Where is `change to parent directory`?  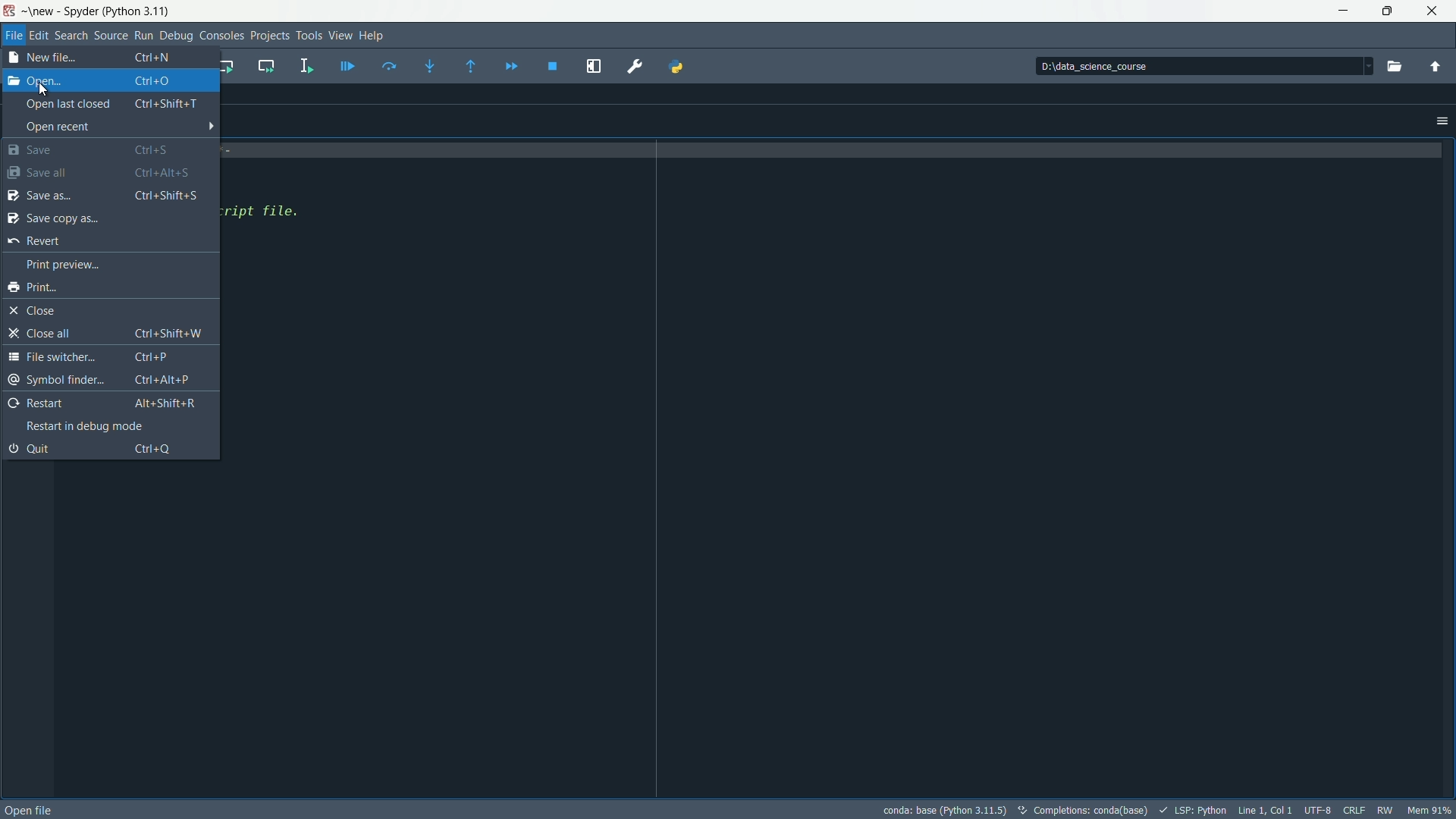 change to parent directory is located at coordinates (1436, 67).